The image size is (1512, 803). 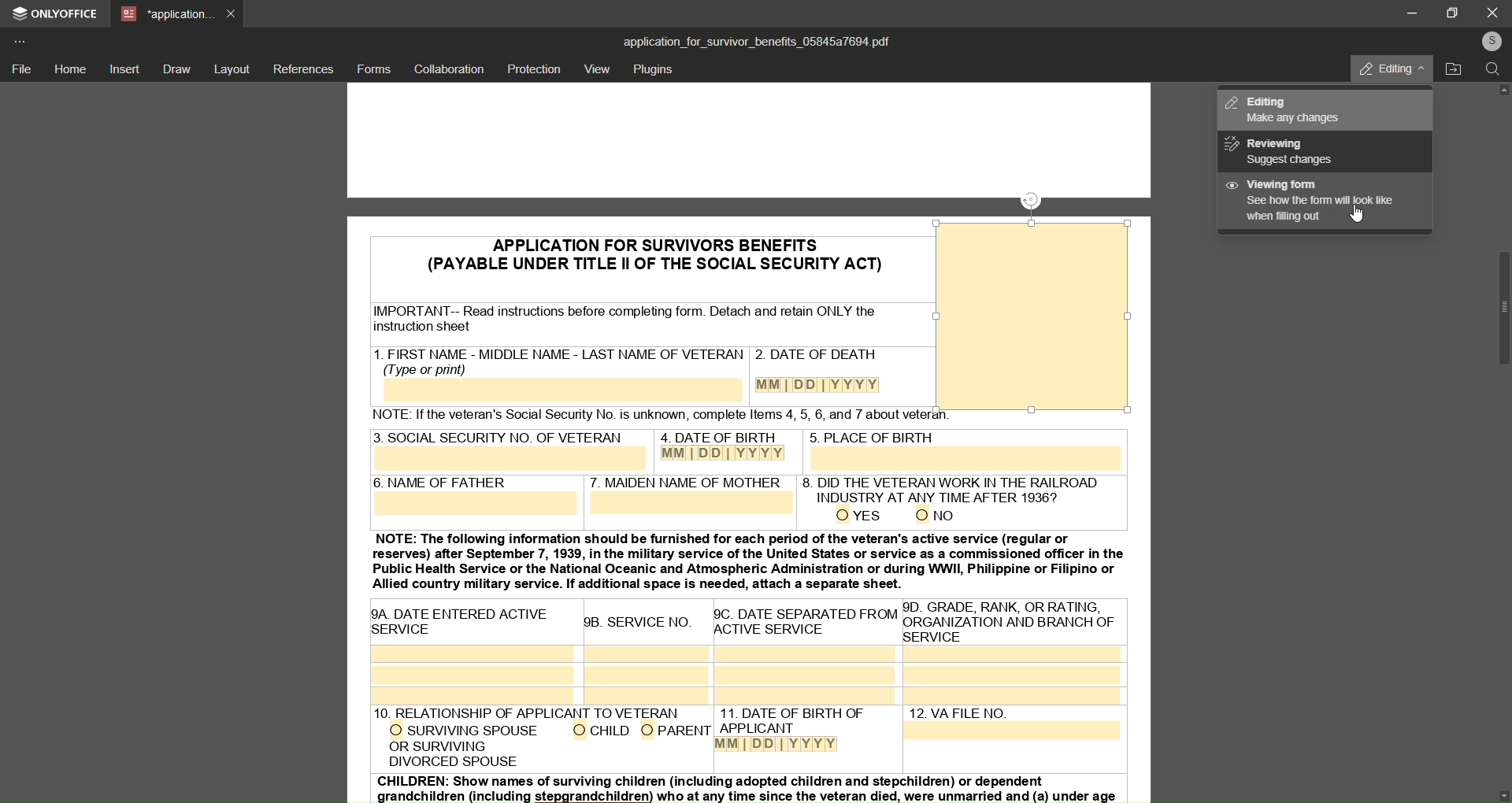 I want to click on scrollbar, so click(x=1495, y=308).